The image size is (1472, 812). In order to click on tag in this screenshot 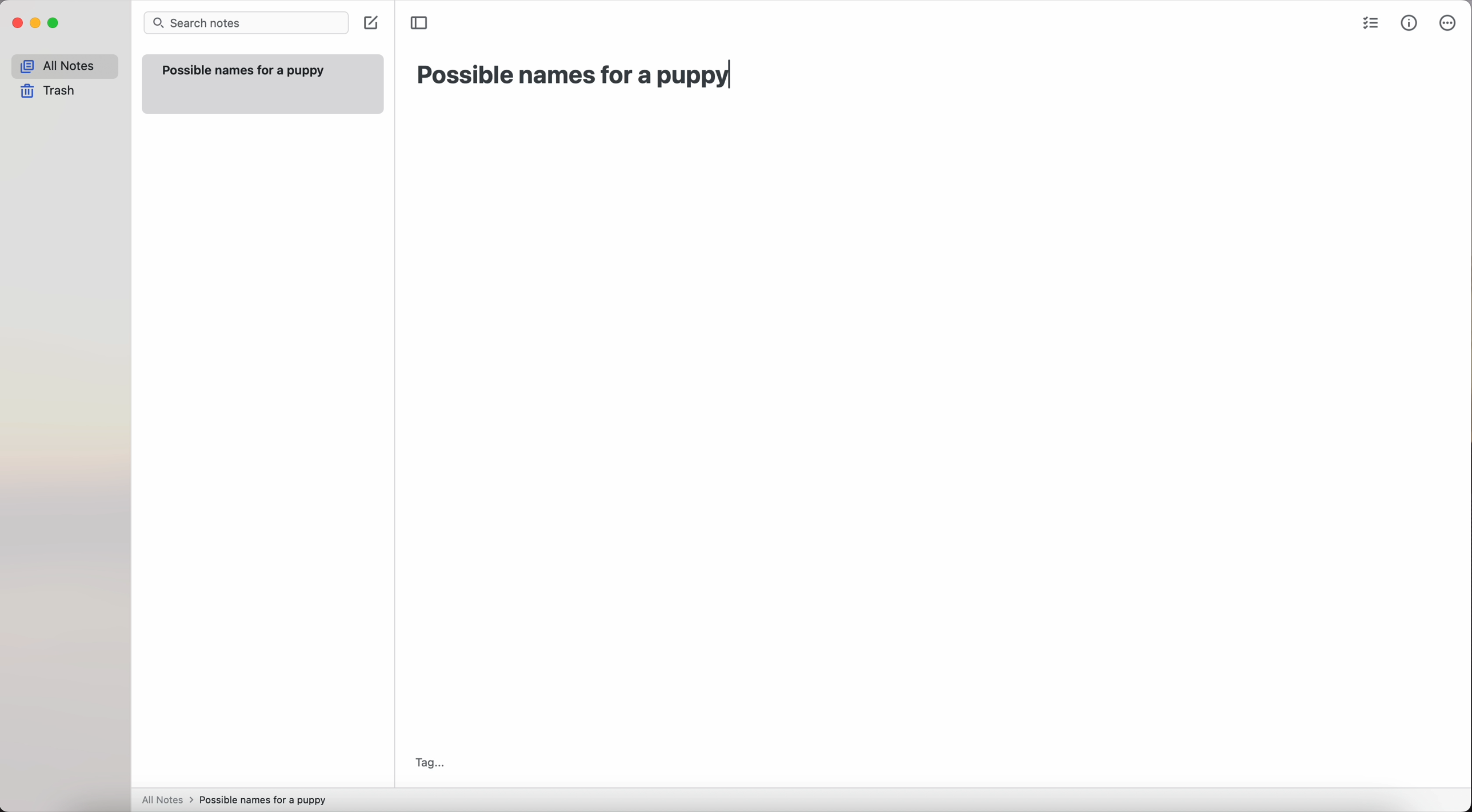, I will do `click(429, 762)`.